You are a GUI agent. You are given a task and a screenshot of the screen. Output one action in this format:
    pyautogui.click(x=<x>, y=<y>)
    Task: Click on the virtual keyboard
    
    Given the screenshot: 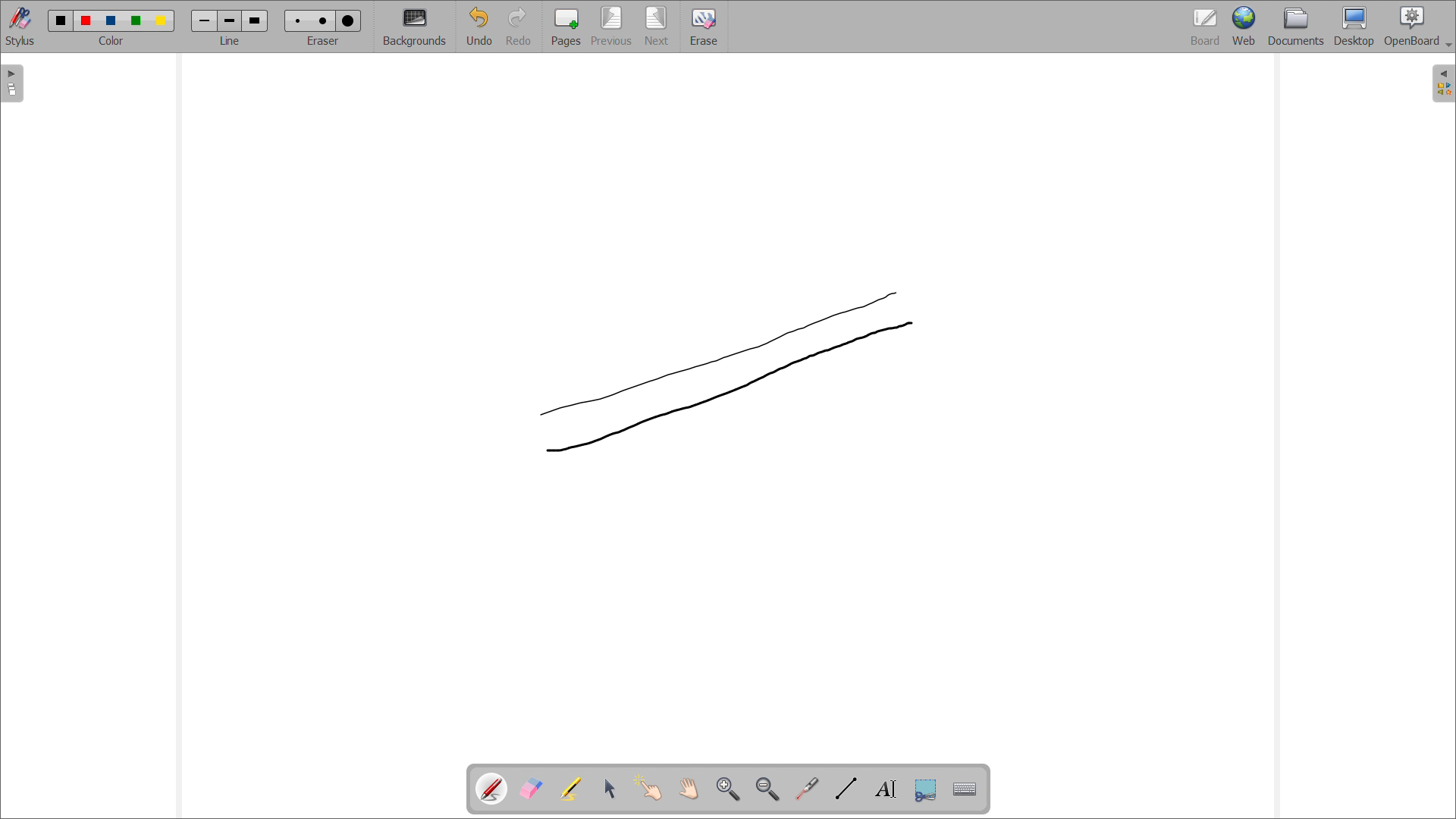 What is the action you would take?
    pyautogui.click(x=966, y=790)
    